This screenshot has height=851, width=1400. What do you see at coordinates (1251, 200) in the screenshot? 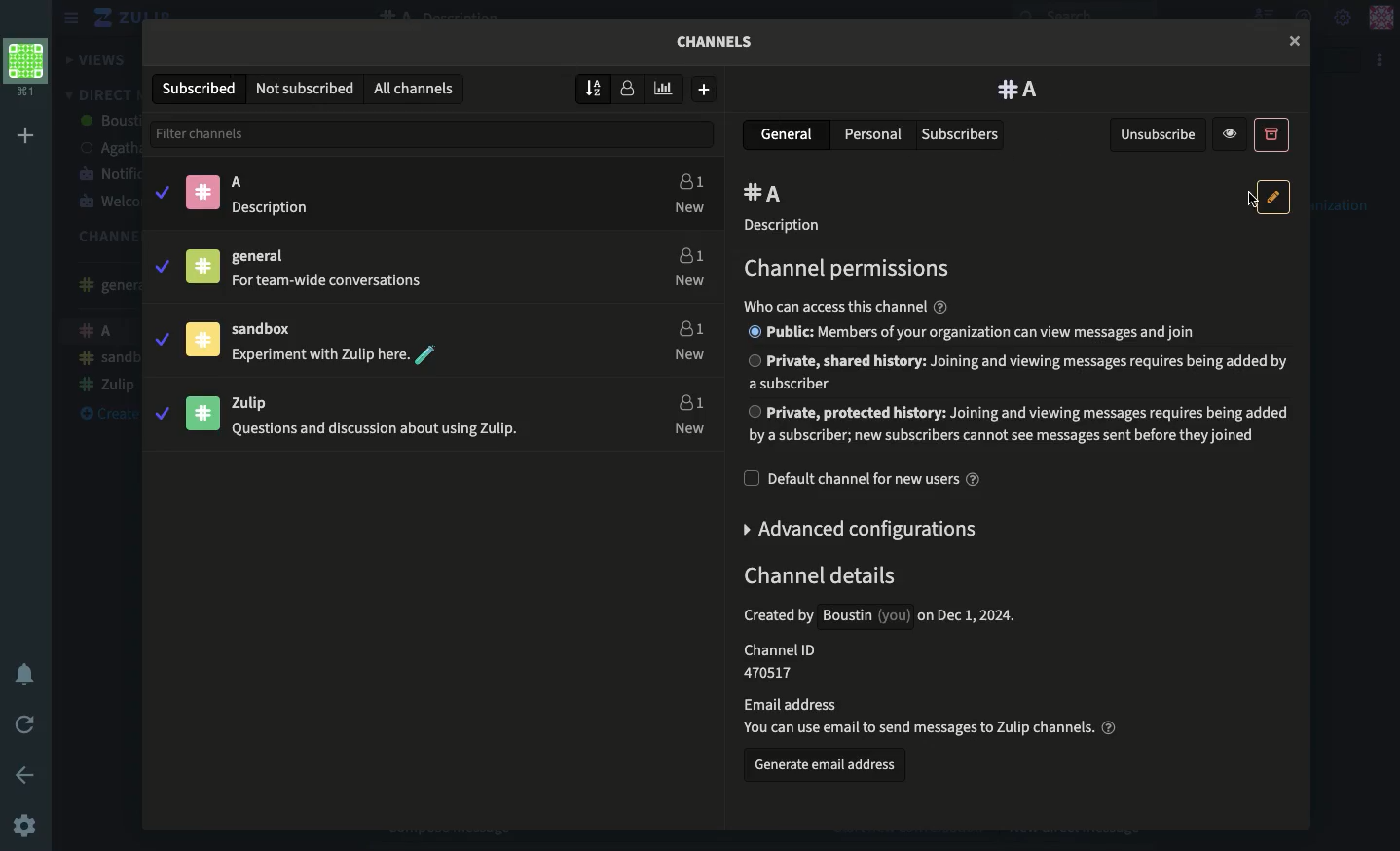
I see `cursor` at bounding box center [1251, 200].